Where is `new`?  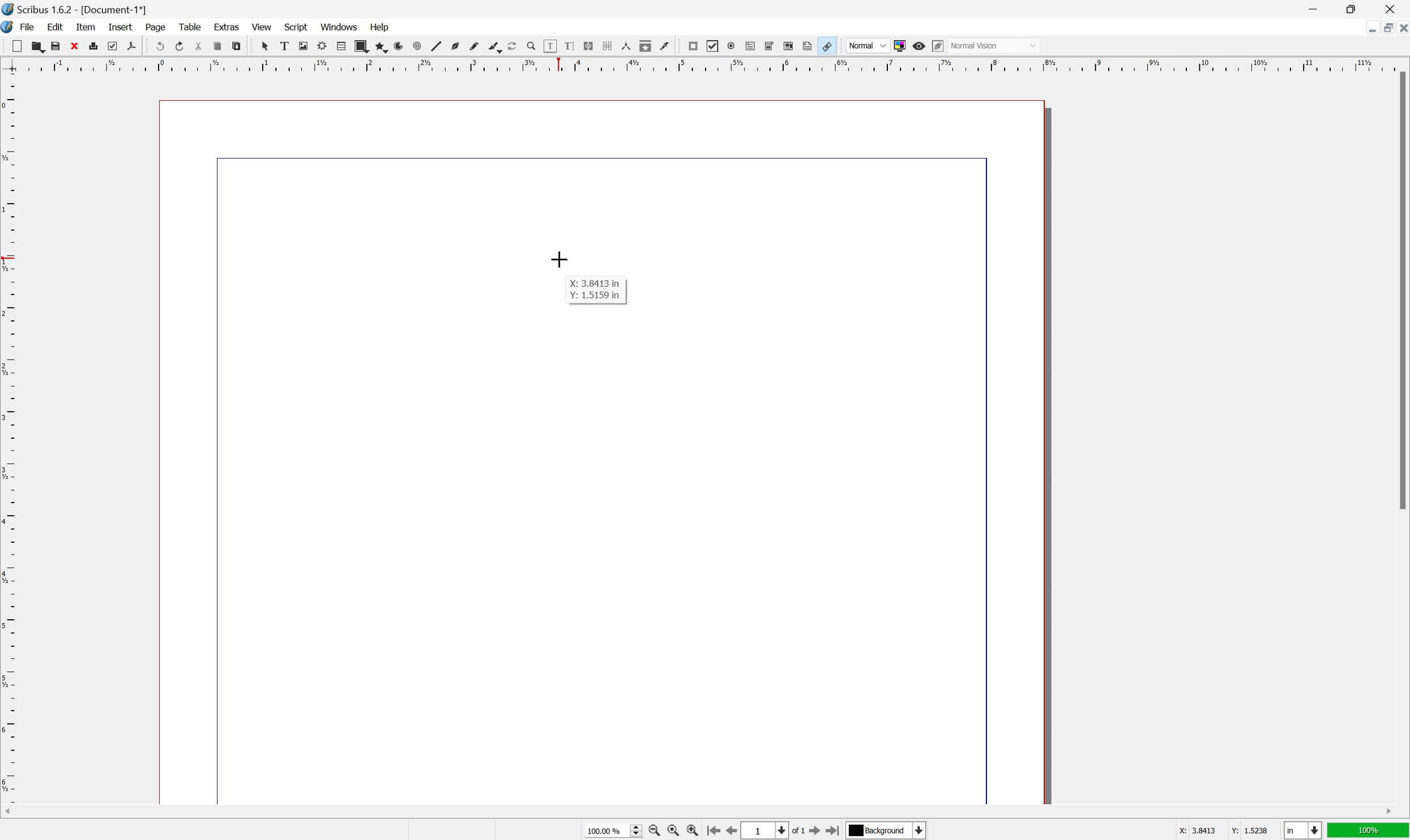
new is located at coordinates (16, 46).